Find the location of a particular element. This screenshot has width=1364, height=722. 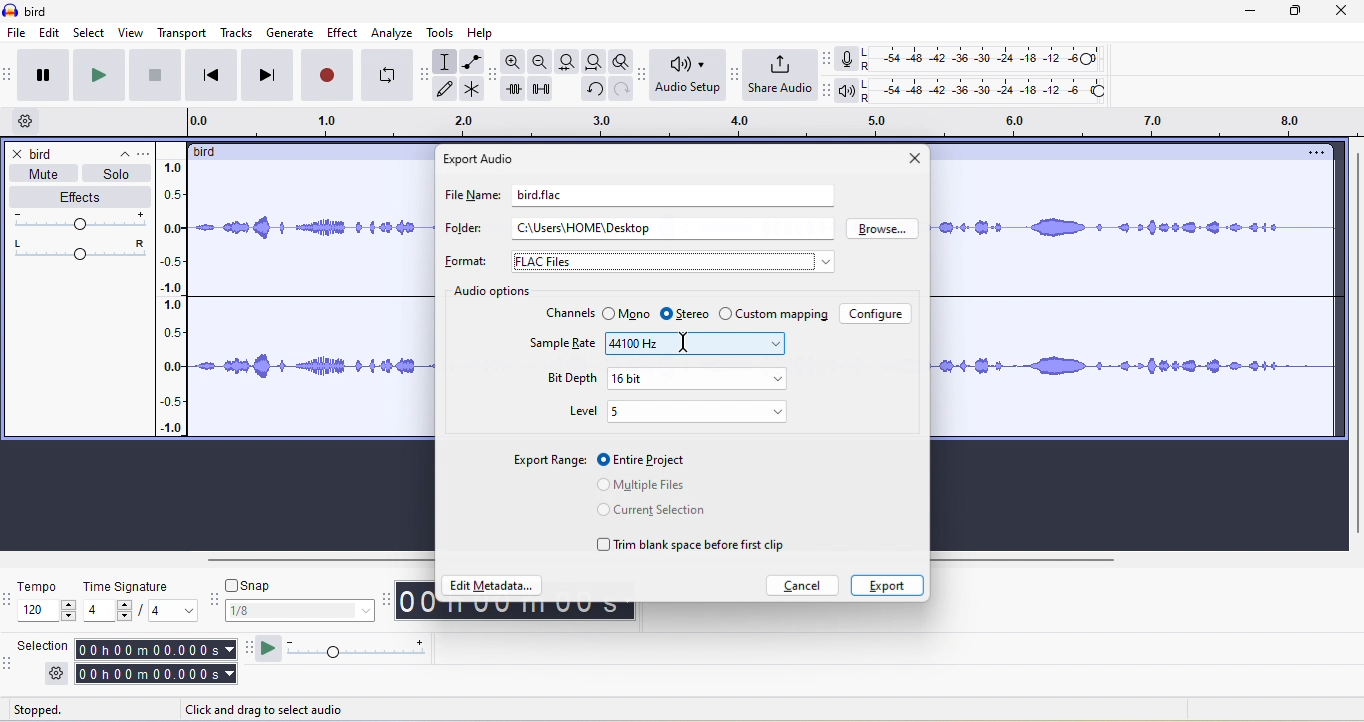

multiple files is located at coordinates (639, 484).